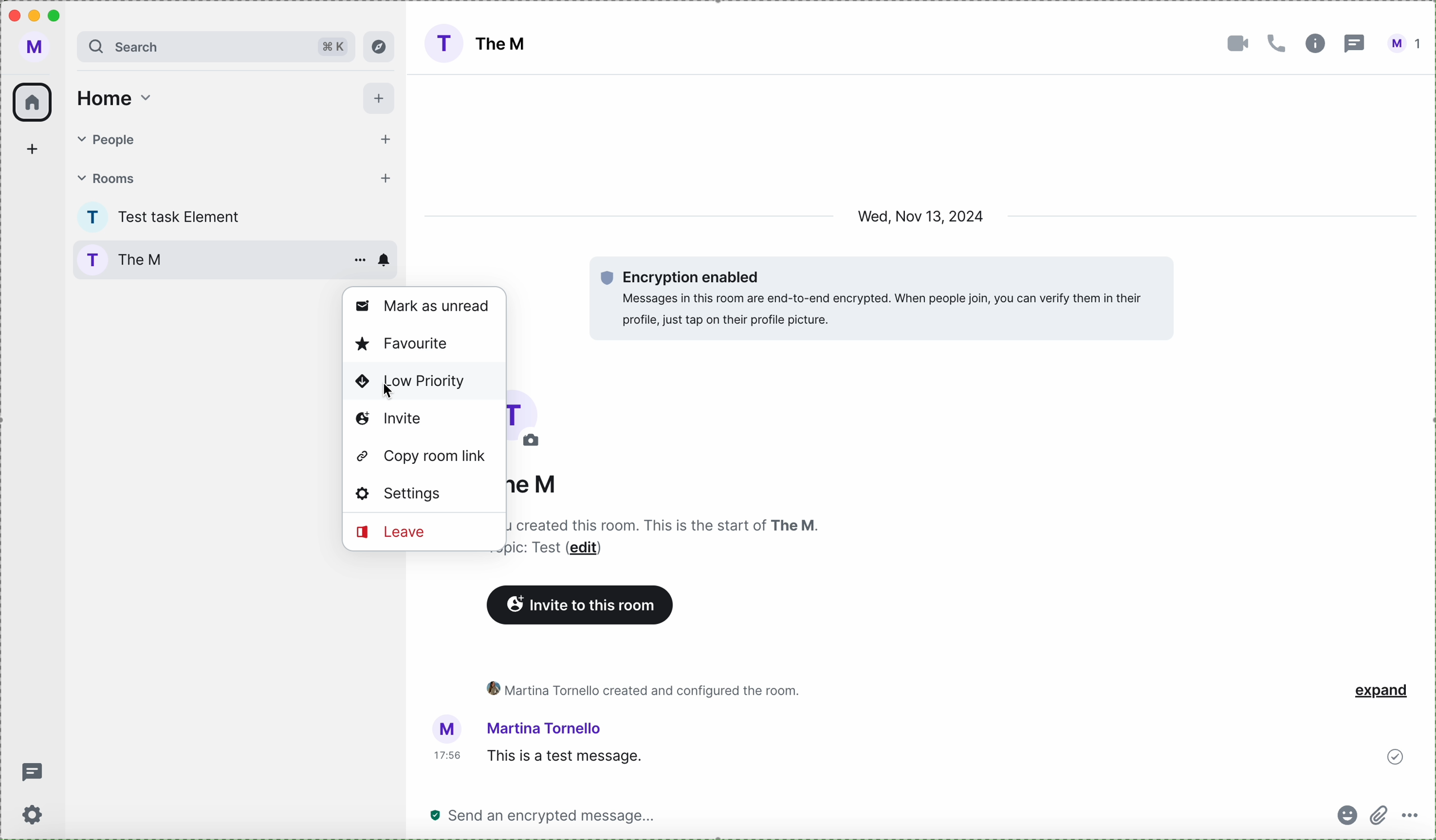 This screenshot has height=840, width=1436. Describe the element at coordinates (405, 344) in the screenshot. I see `favorite` at that location.